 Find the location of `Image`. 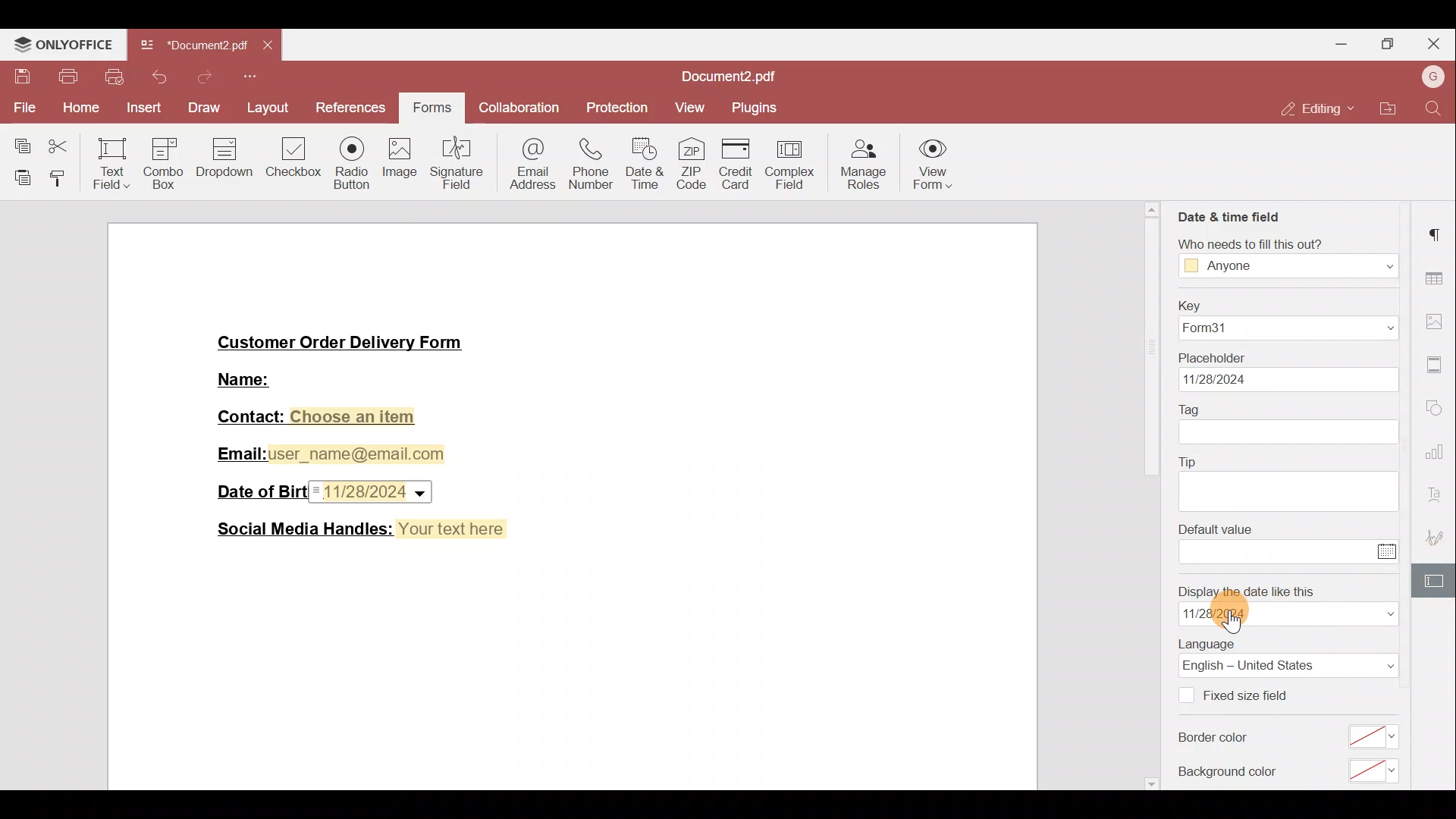

Image is located at coordinates (400, 163).